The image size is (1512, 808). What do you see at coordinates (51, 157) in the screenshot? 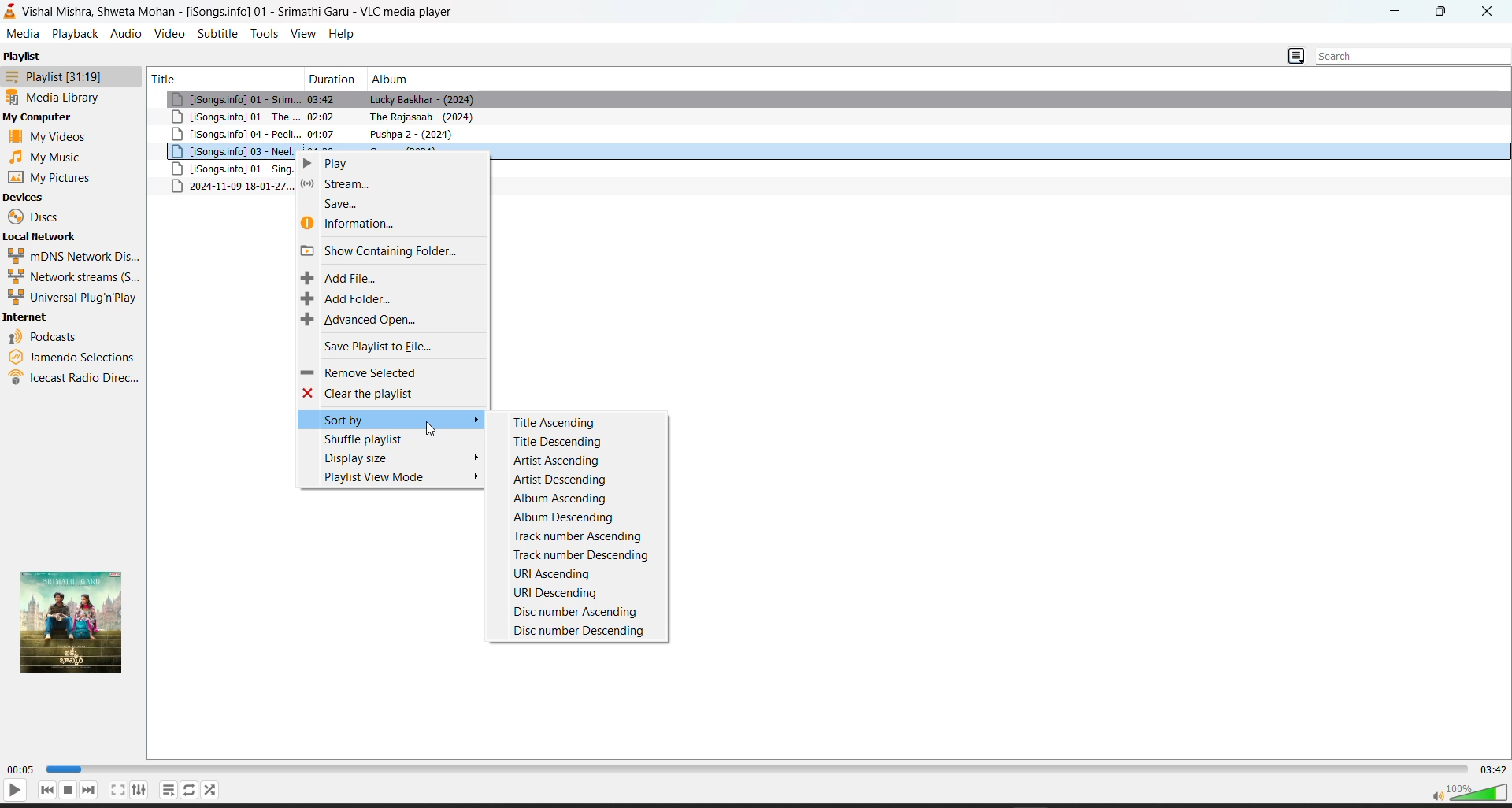
I see `music` at bounding box center [51, 157].